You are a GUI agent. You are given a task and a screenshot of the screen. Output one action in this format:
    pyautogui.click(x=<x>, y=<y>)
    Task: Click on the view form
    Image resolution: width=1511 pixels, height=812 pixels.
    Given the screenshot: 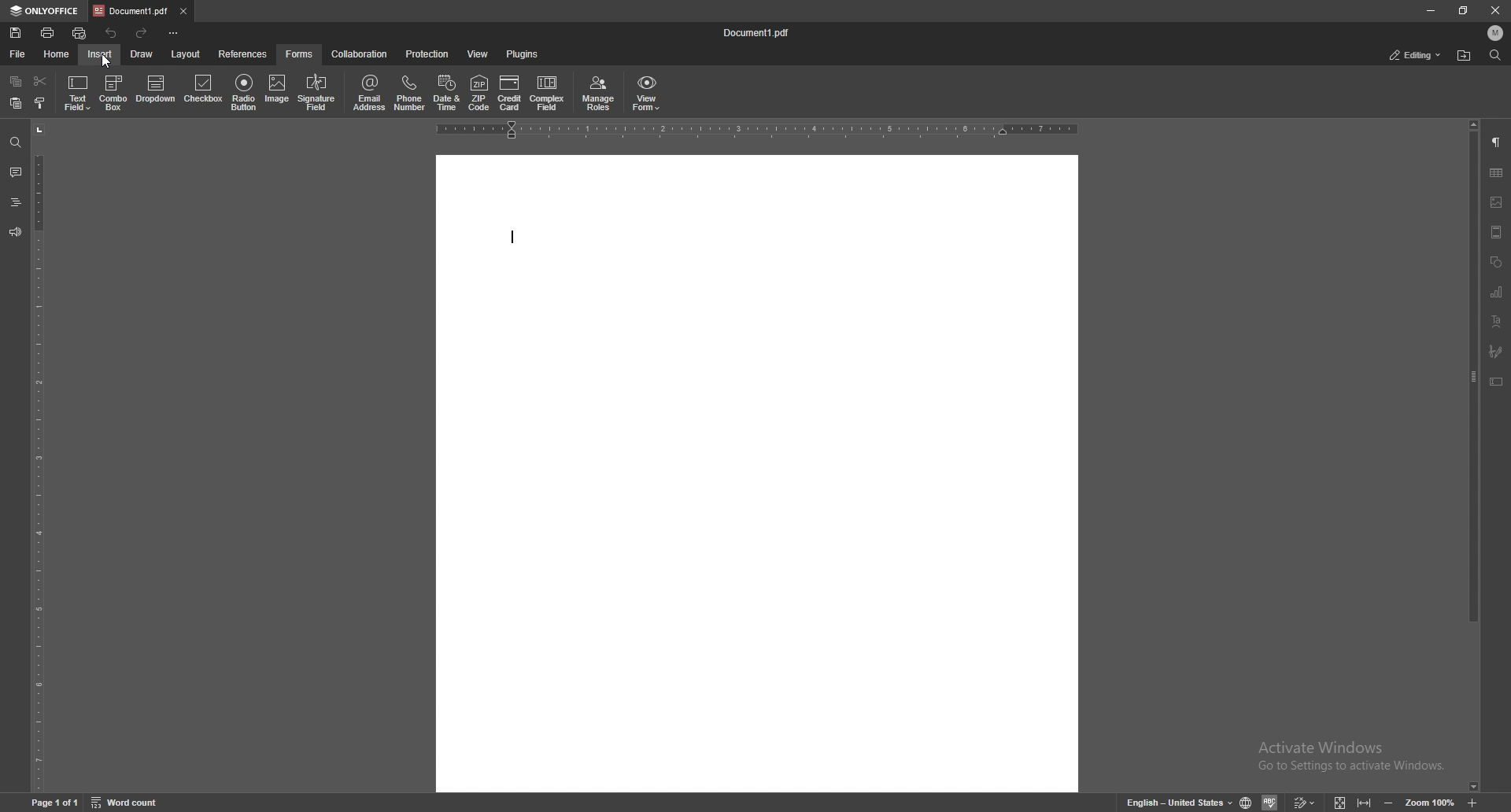 What is the action you would take?
    pyautogui.click(x=647, y=94)
    